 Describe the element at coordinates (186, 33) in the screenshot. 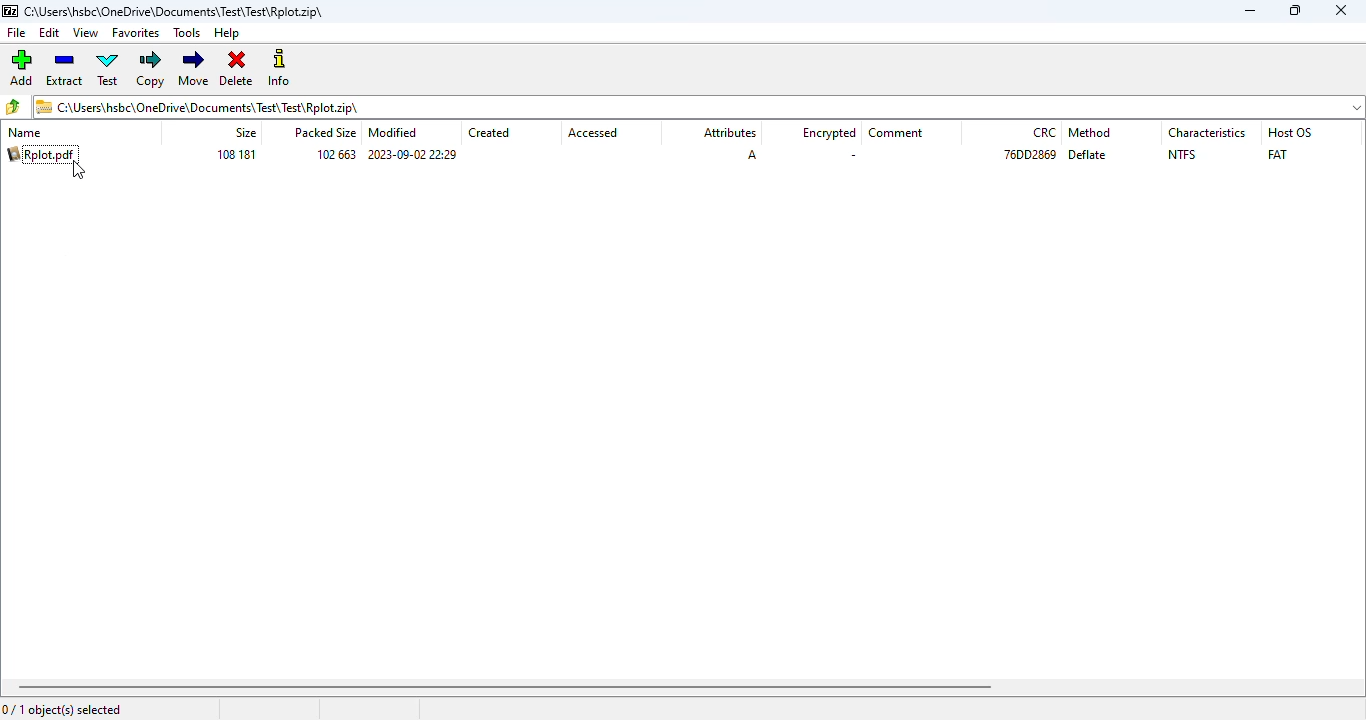

I see `tools` at that location.